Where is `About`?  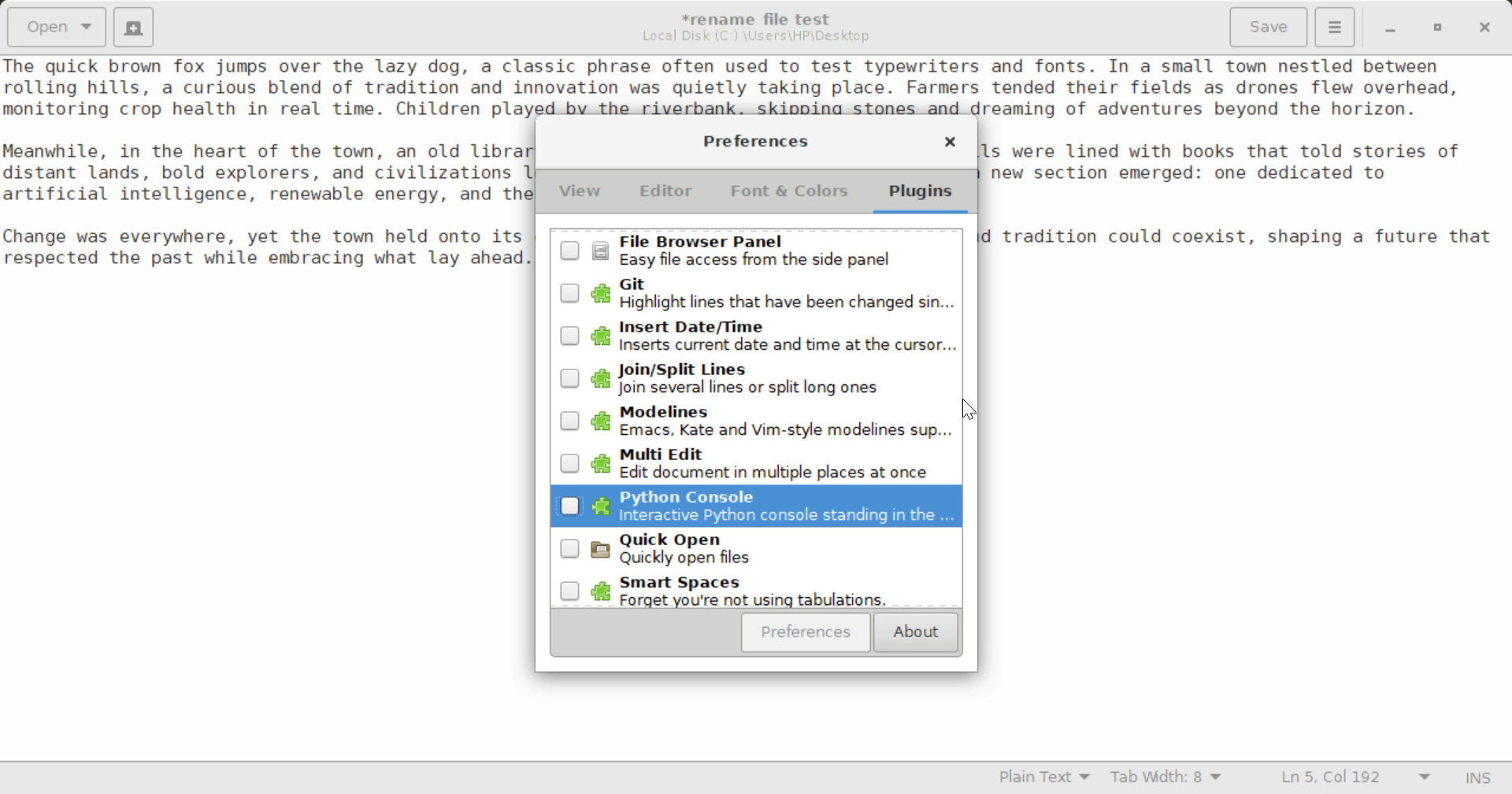
About is located at coordinates (913, 633).